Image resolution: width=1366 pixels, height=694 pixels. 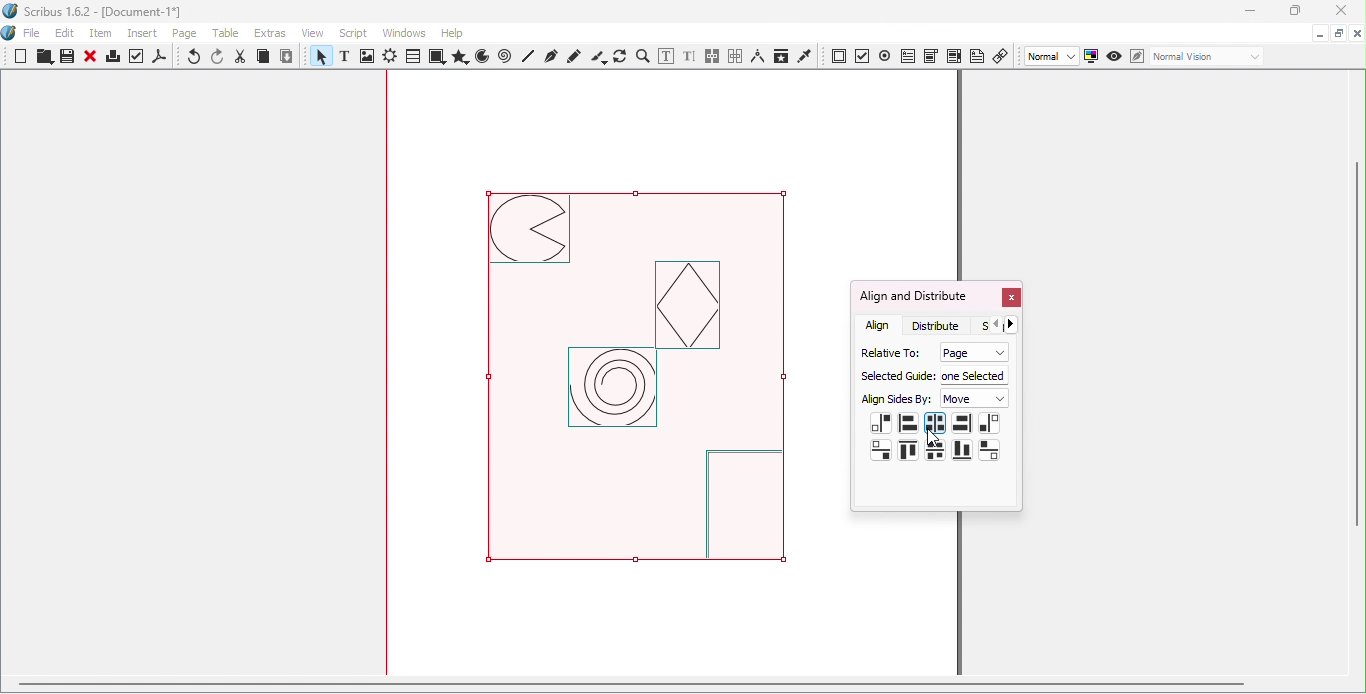 I want to click on Go forward, so click(x=1015, y=324).